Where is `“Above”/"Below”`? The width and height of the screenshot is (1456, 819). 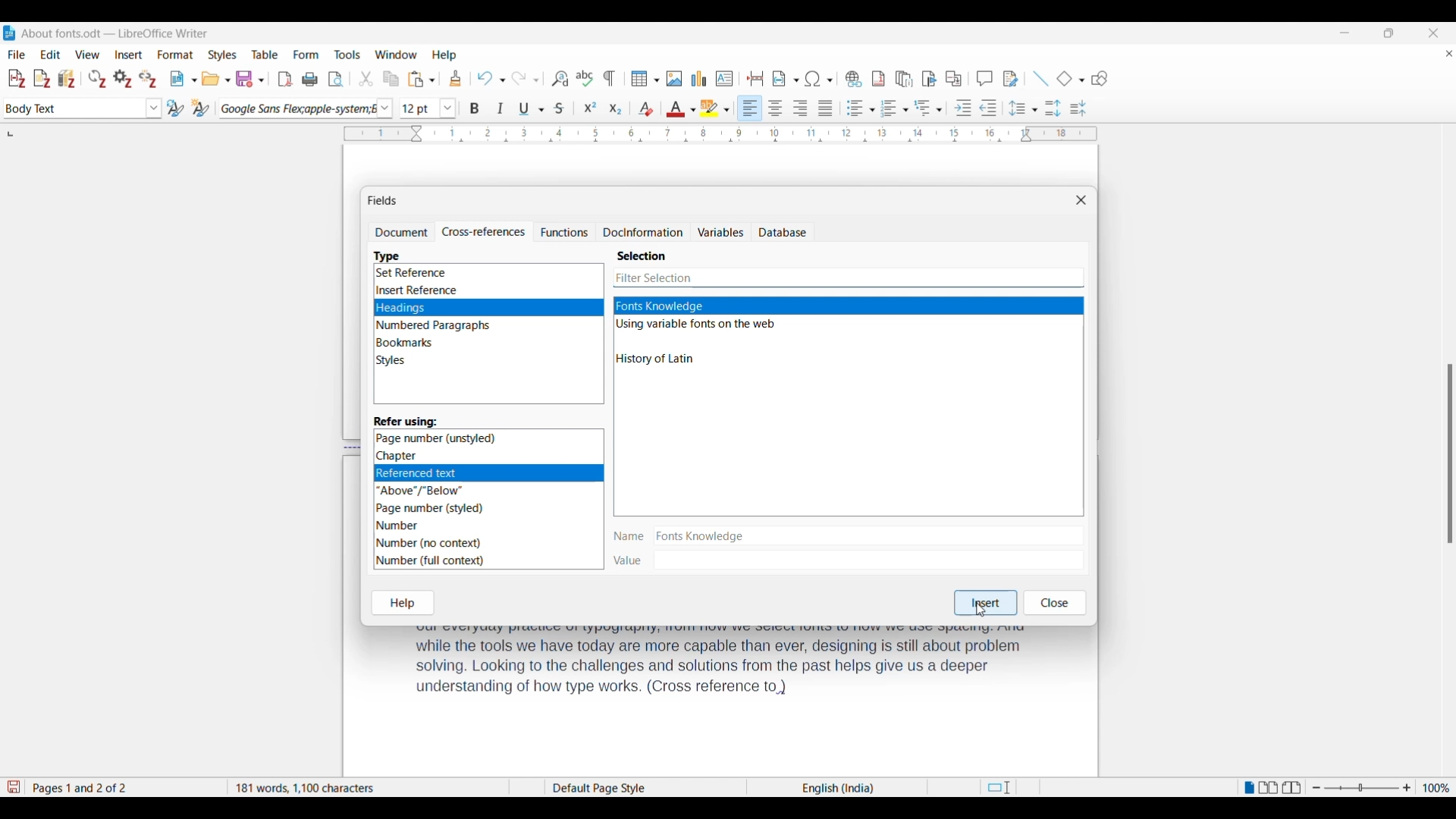 “Above”/"Below” is located at coordinates (421, 490).